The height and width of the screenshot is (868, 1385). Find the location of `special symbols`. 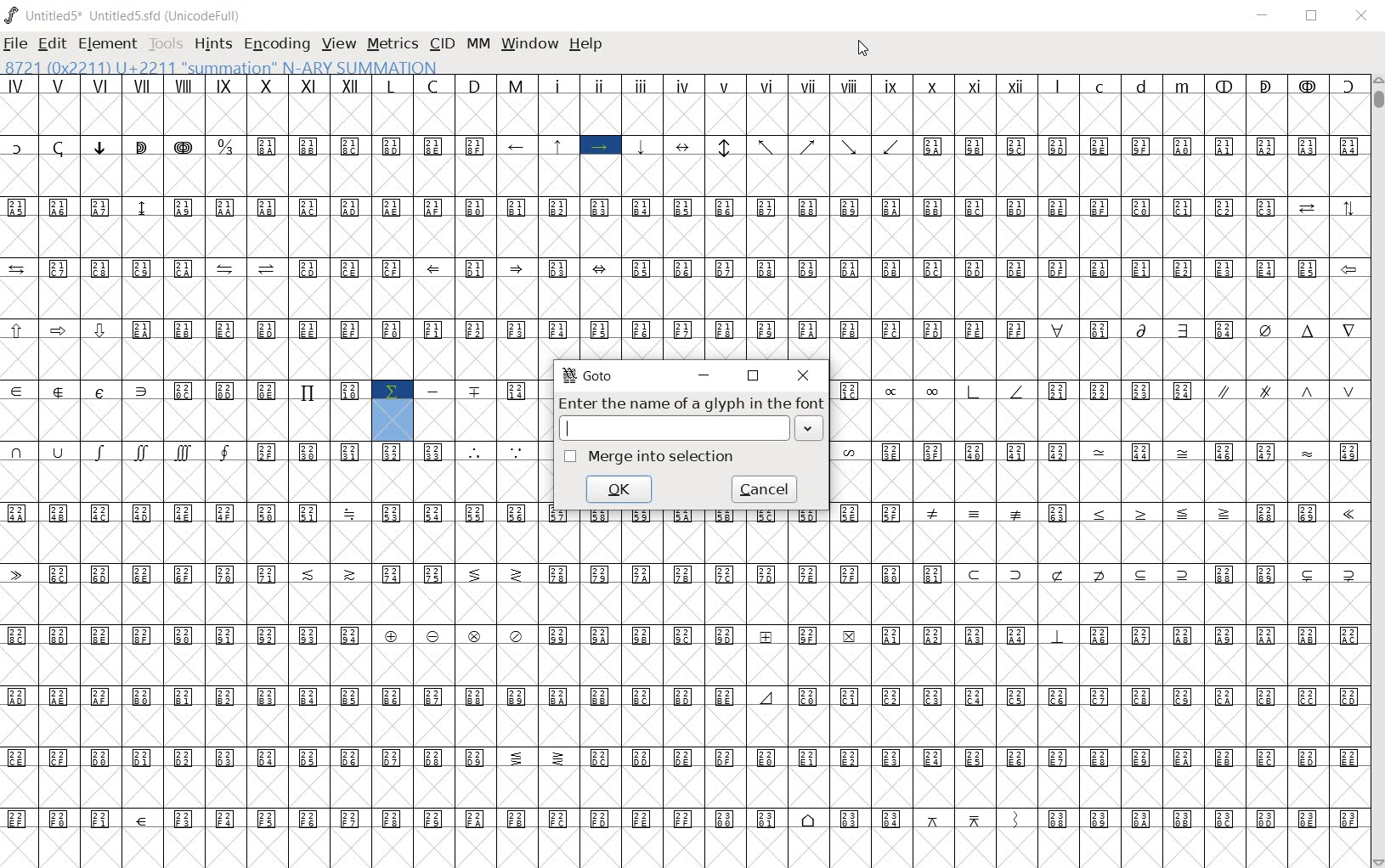

special symbols is located at coordinates (681, 268).